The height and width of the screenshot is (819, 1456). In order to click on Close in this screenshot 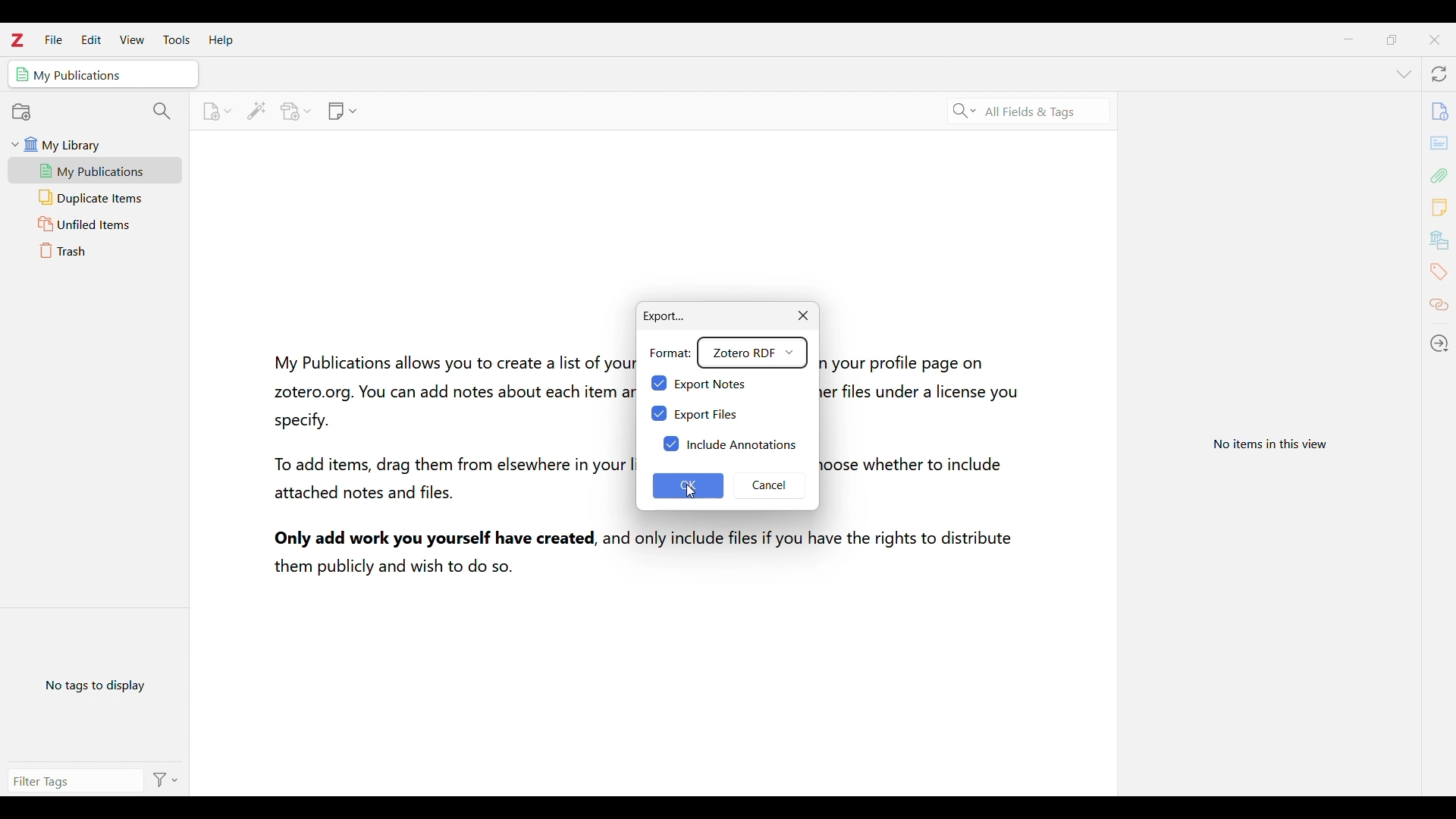, I will do `click(802, 316)`.